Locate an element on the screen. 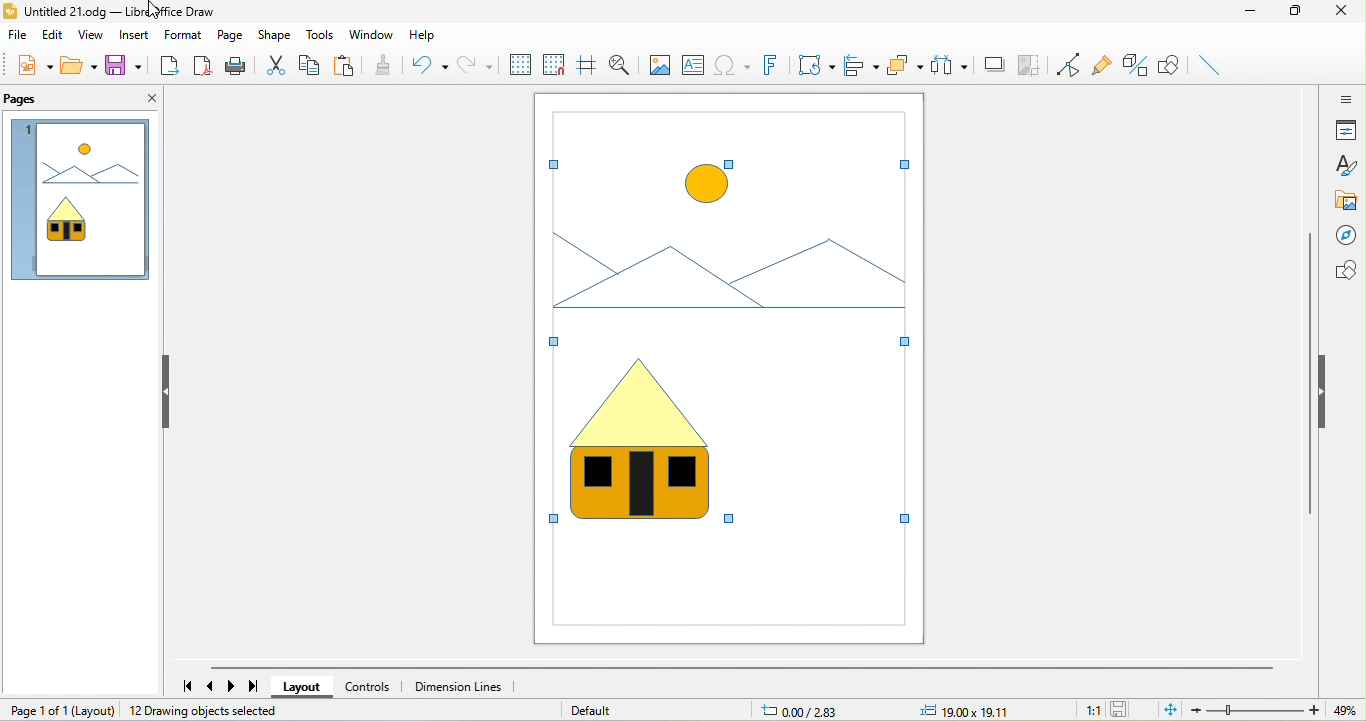 The height and width of the screenshot is (722, 1366). export is located at coordinates (169, 64).